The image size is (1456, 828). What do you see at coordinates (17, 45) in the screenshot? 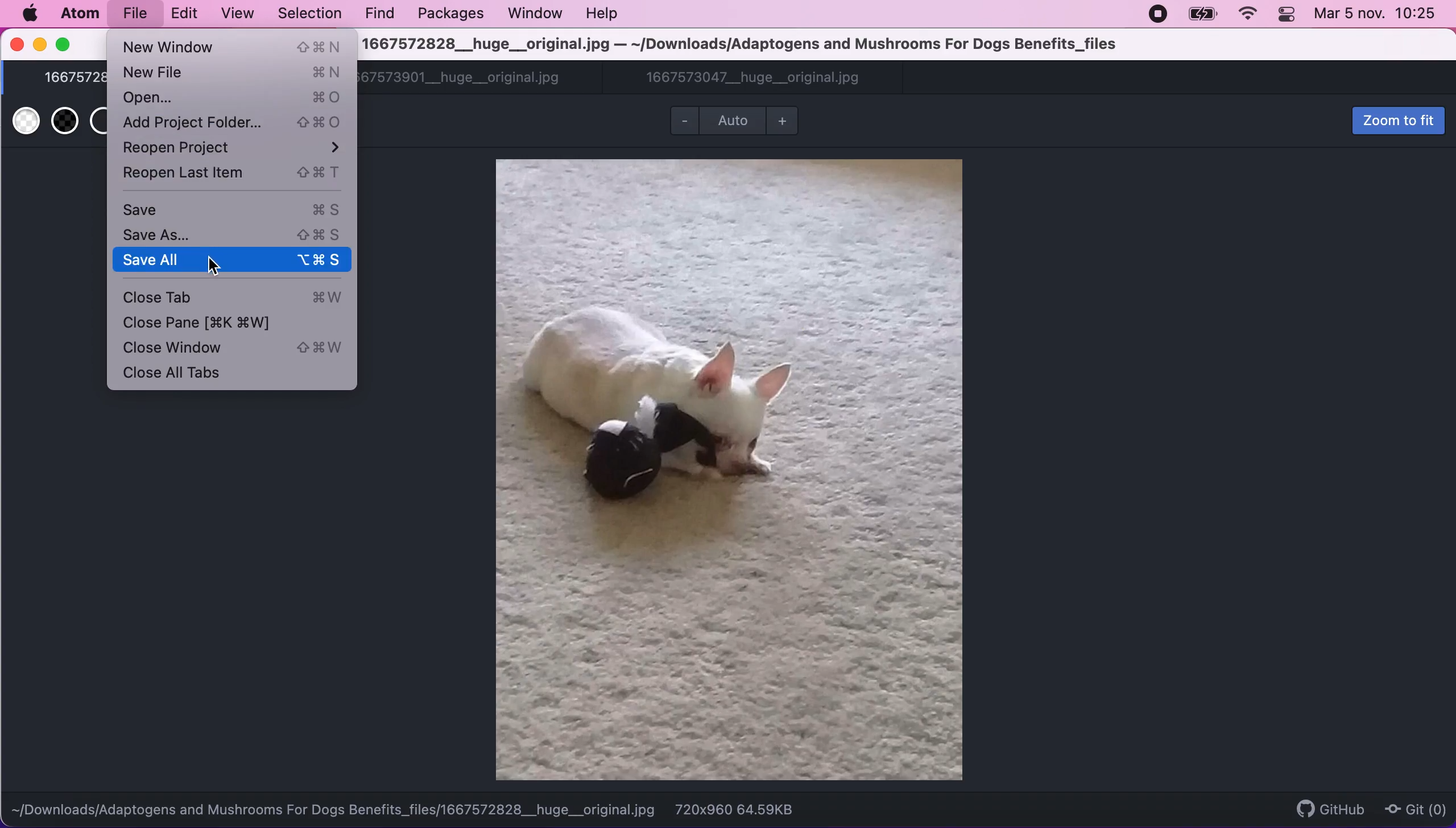
I see `close` at bounding box center [17, 45].